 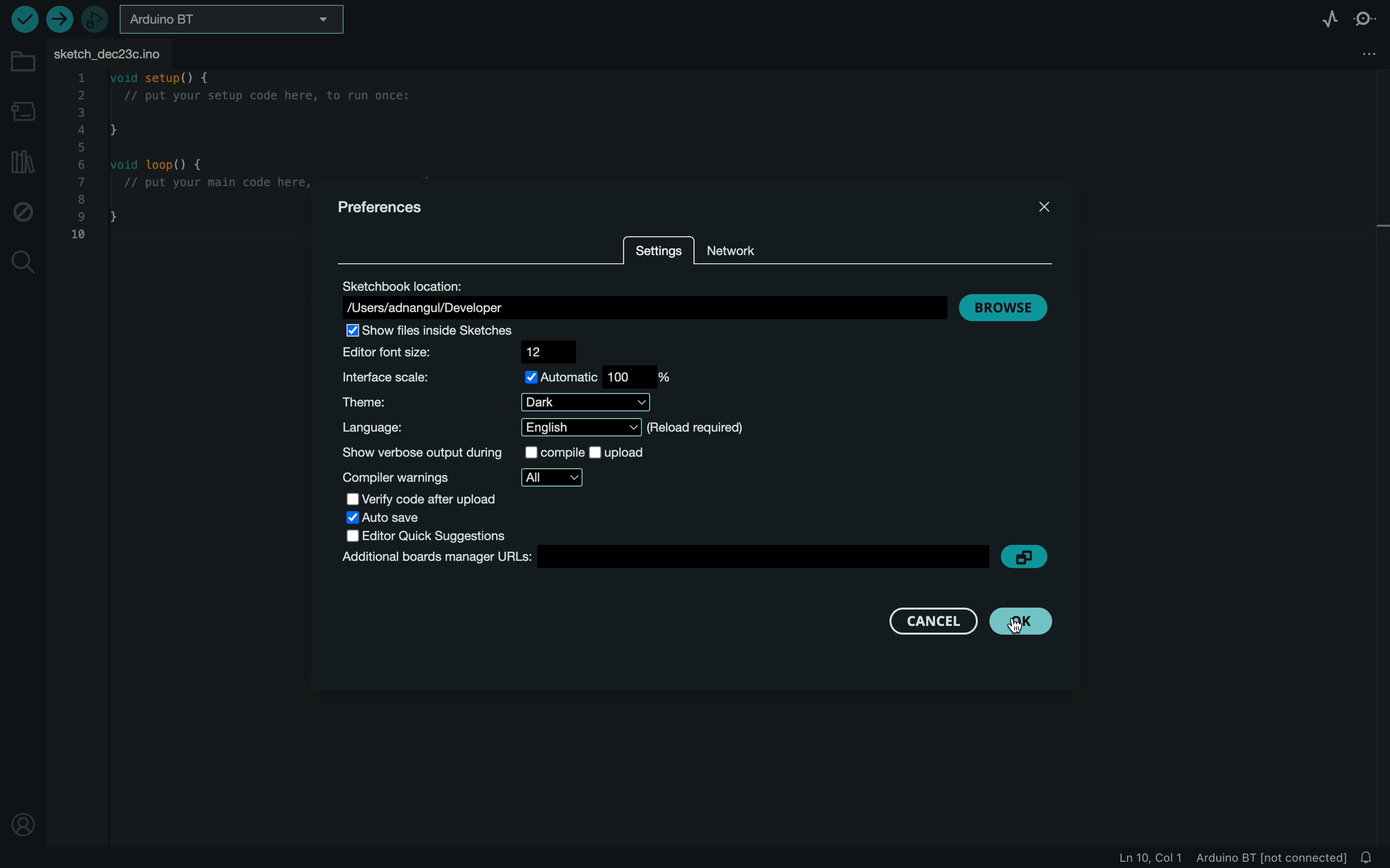 I want to click on debugger, so click(x=96, y=20).